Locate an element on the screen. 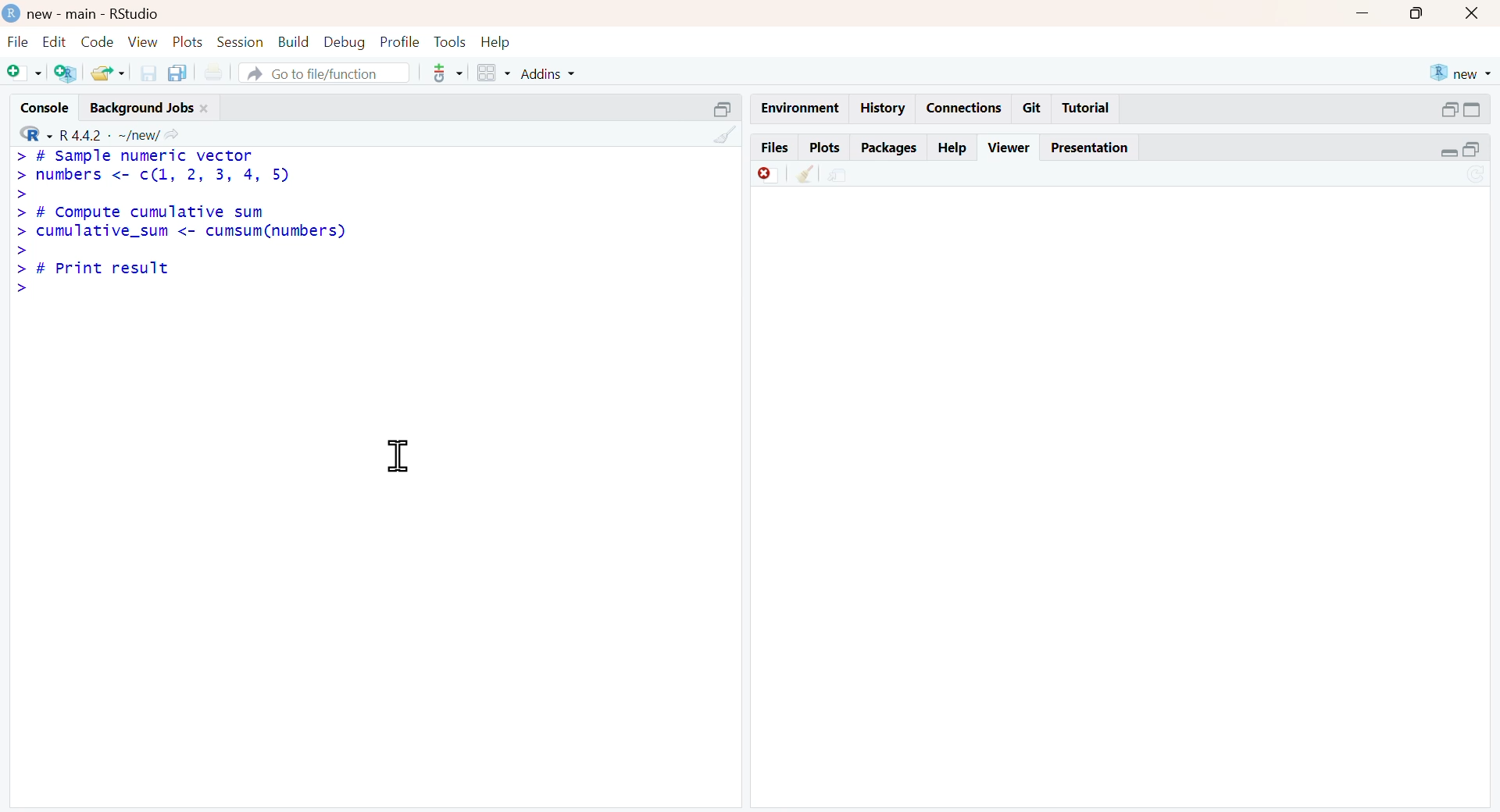 Image resolution: width=1500 pixels, height=812 pixels. tools is located at coordinates (449, 73).